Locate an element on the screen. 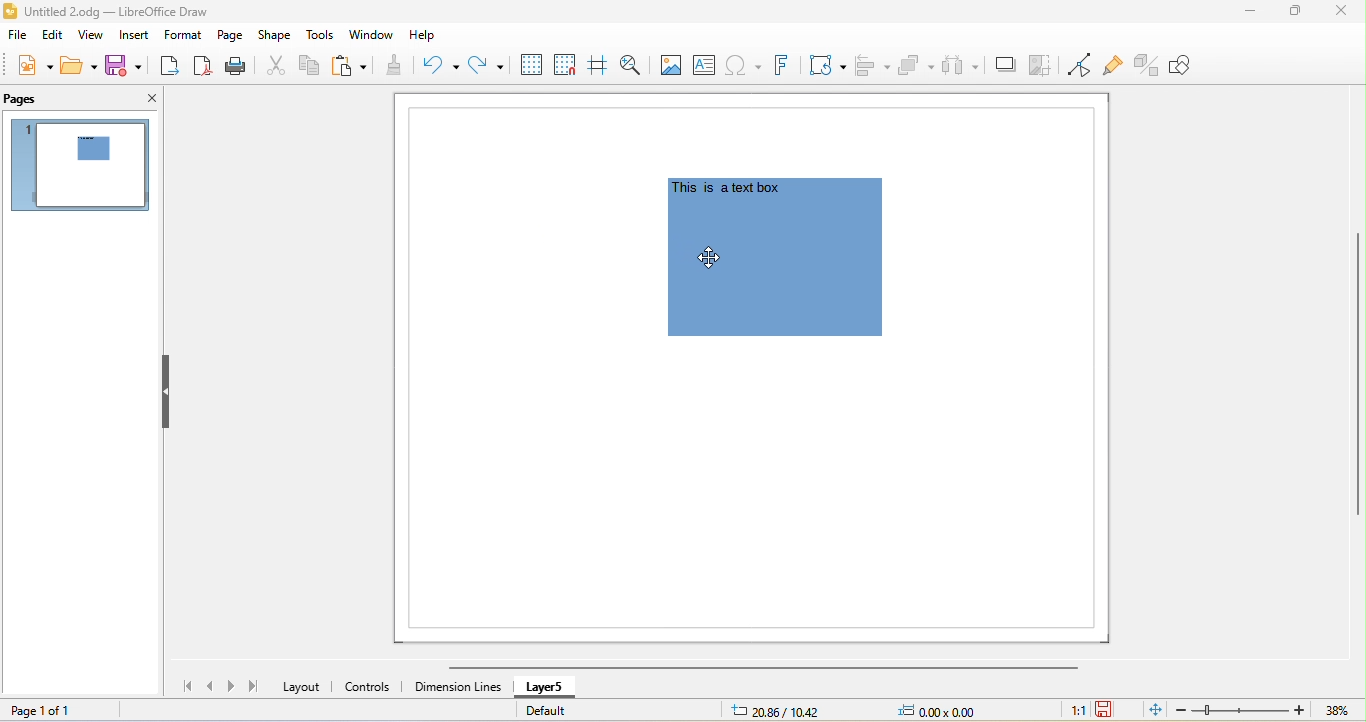 The width and height of the screenshot is (1366, 722). view is located at coordinates (94, 37).